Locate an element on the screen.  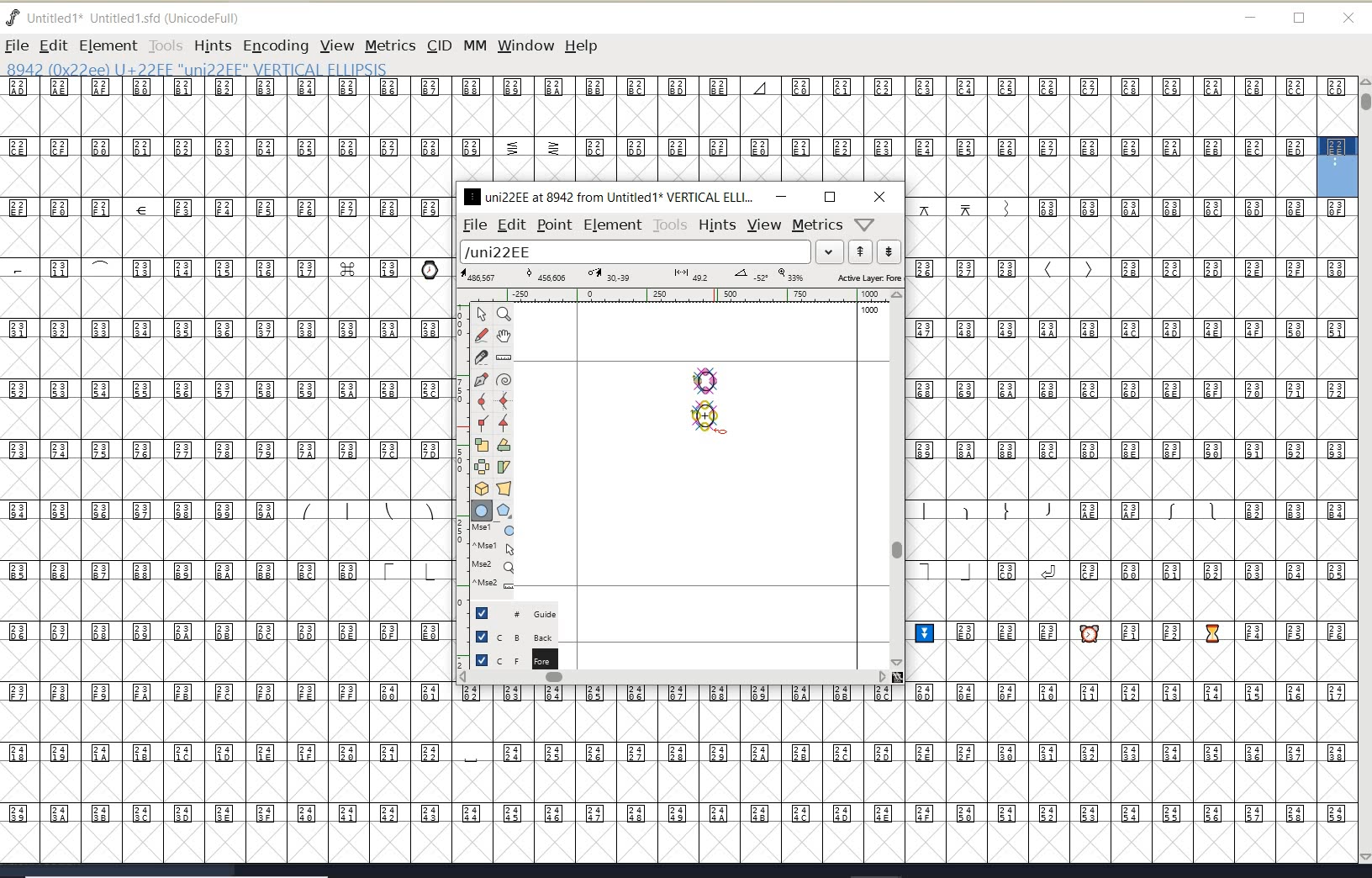
add a tangent point is located at coordinates (502, 420).